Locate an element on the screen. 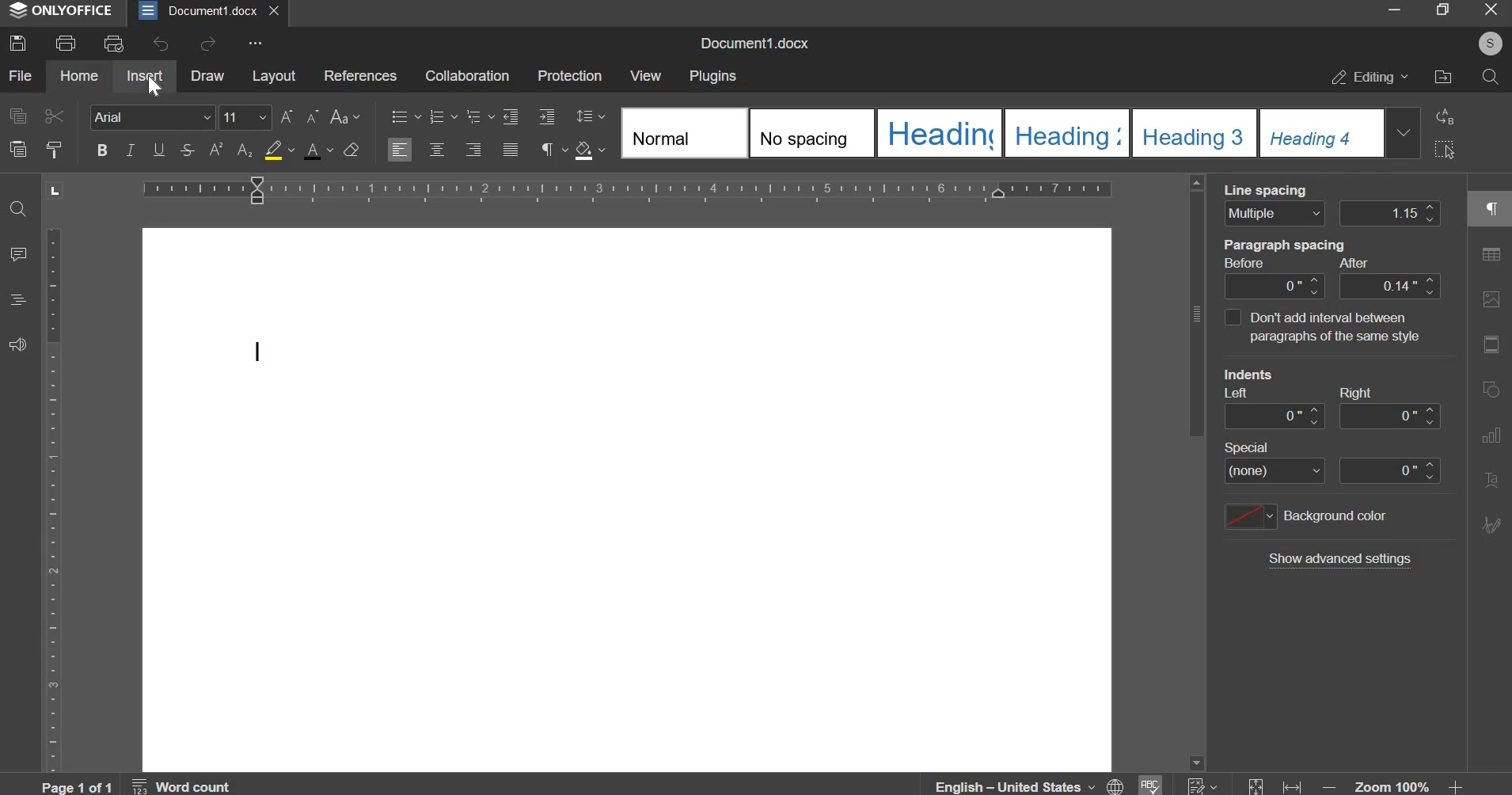 The image size is (1512, 795). justified is located at coordinates (510, 149).